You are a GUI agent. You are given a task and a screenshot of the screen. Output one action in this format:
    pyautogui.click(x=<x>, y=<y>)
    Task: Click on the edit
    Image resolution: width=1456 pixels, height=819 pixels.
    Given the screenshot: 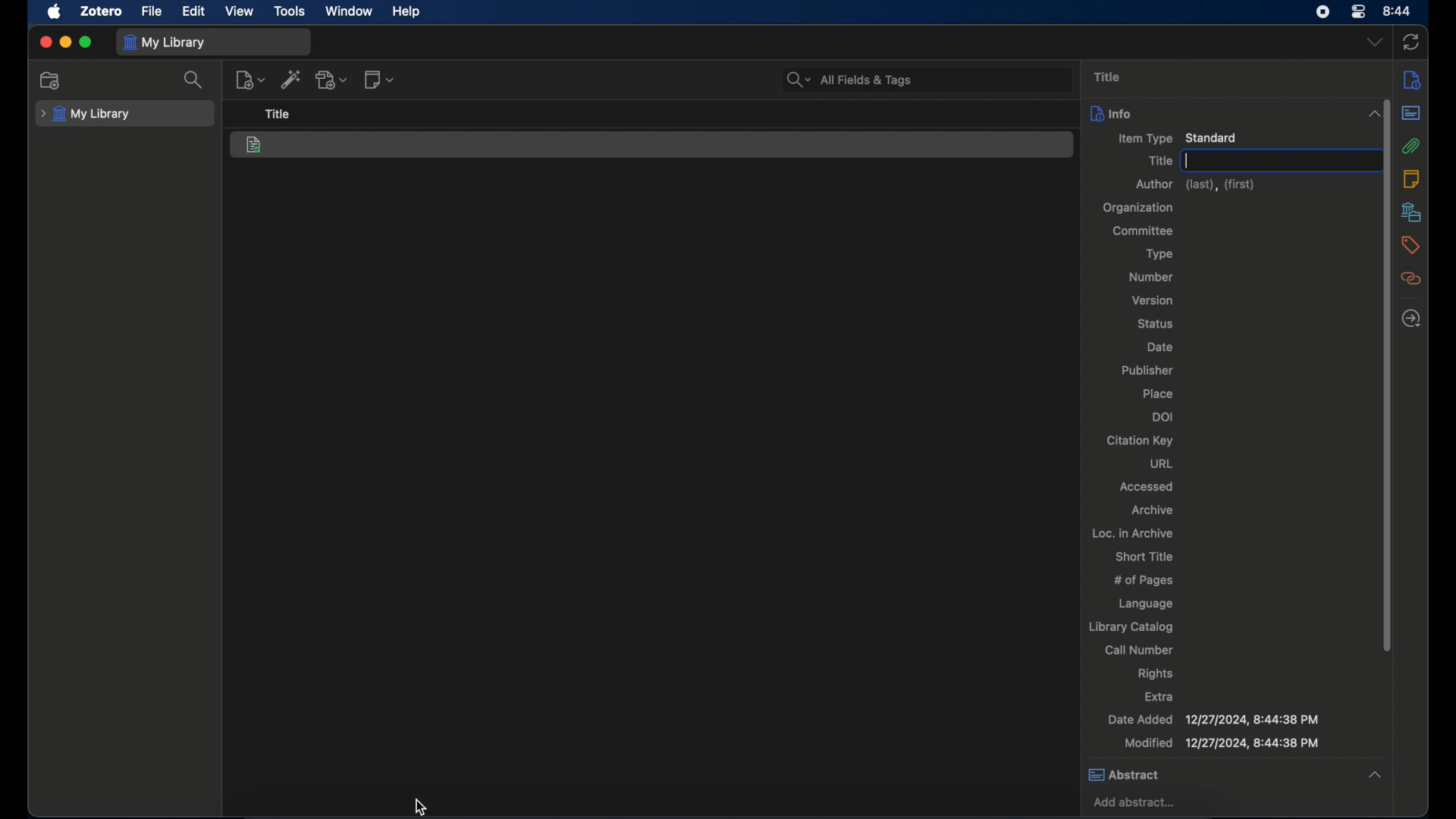 What is the action you would take?
    pyautogui.click(x=192, y=11)
    